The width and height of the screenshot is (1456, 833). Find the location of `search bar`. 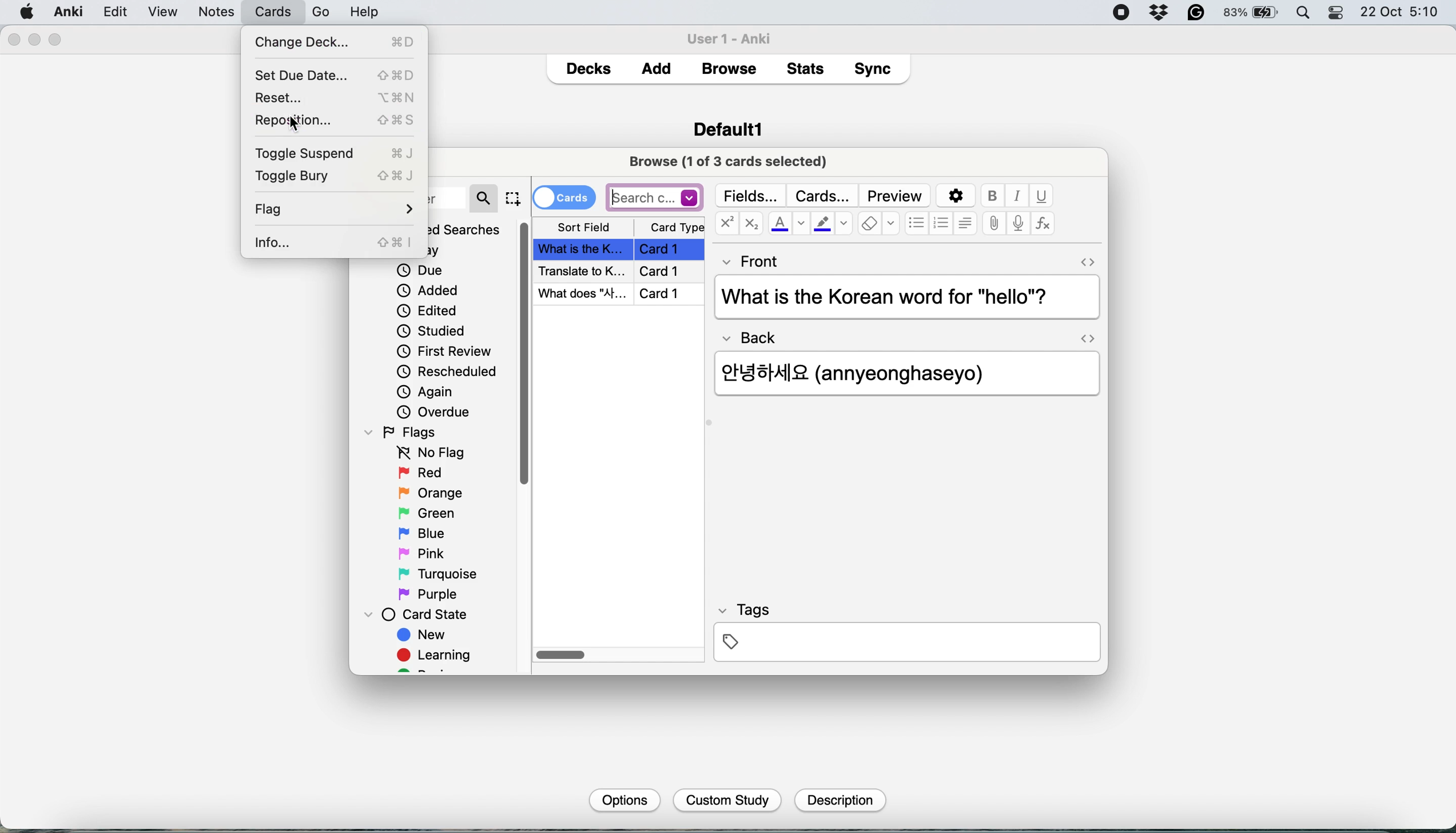

search bar is located at coordinates (655, 197).